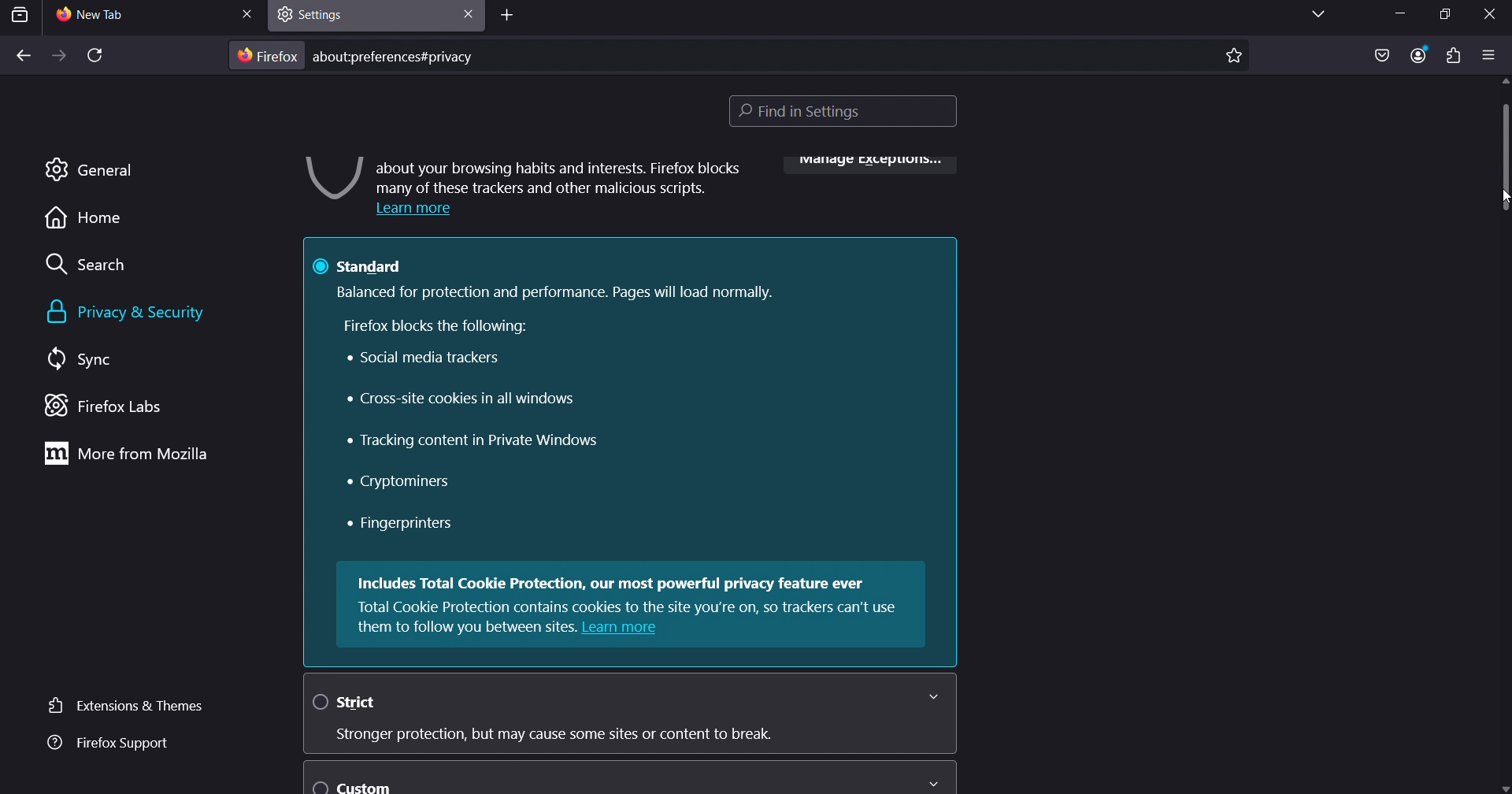 This screenshot has width=1512, height=794. Describe the element at coordinates (1503, 138) in the screenshot. I see `scrollbar` at that location.